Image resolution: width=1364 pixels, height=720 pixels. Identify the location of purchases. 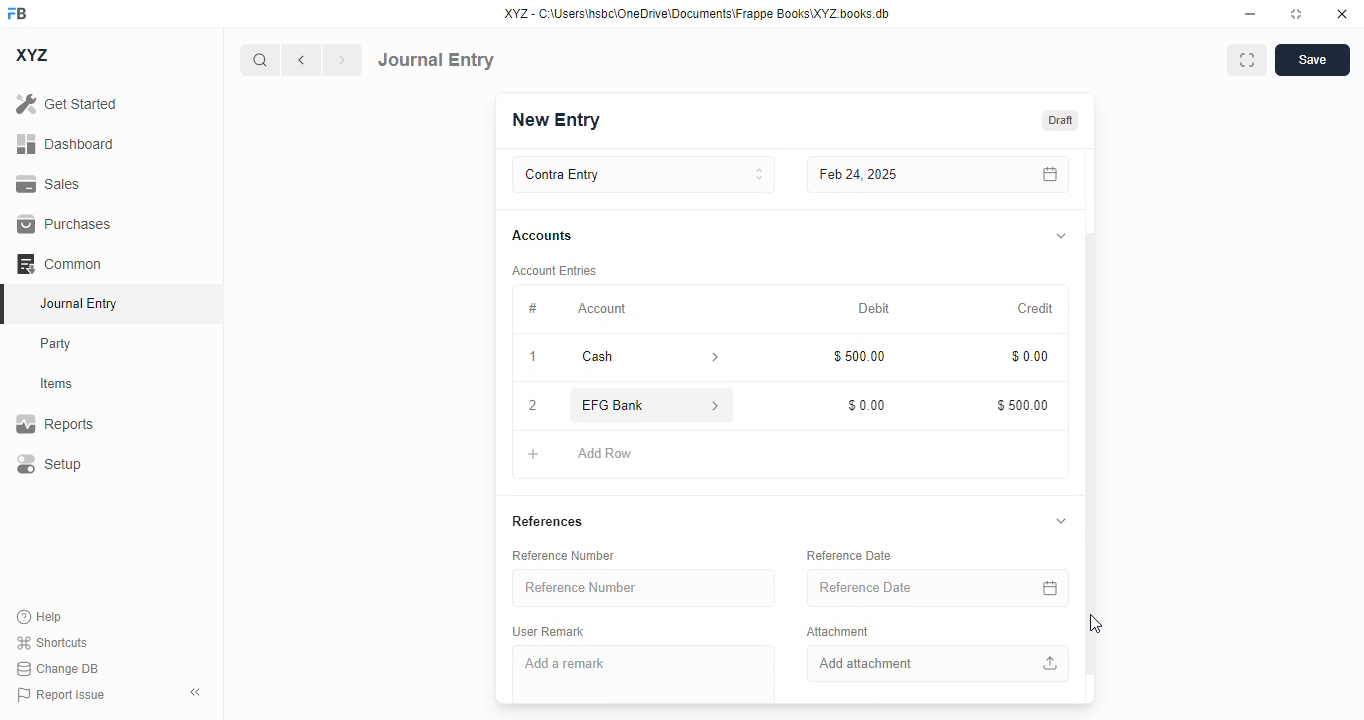
(66, 224).